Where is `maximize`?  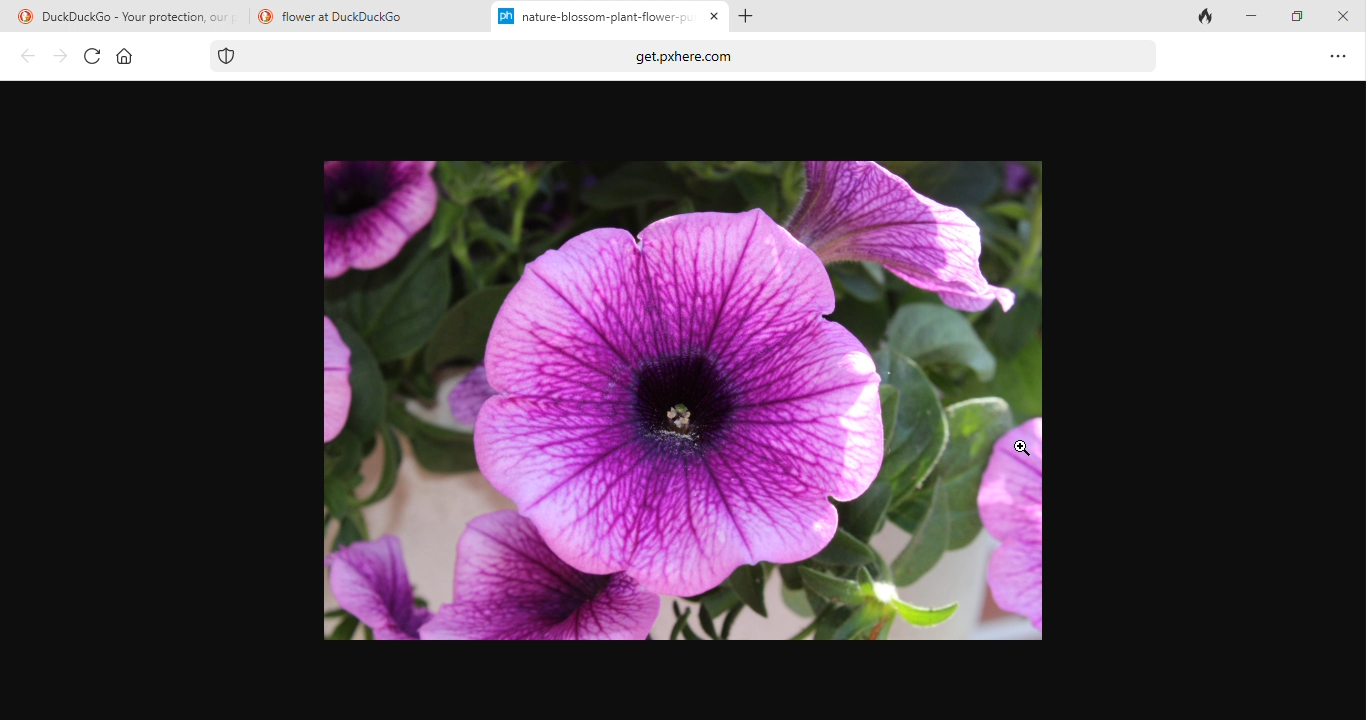
maximize is located at coordinates (1293, 21).